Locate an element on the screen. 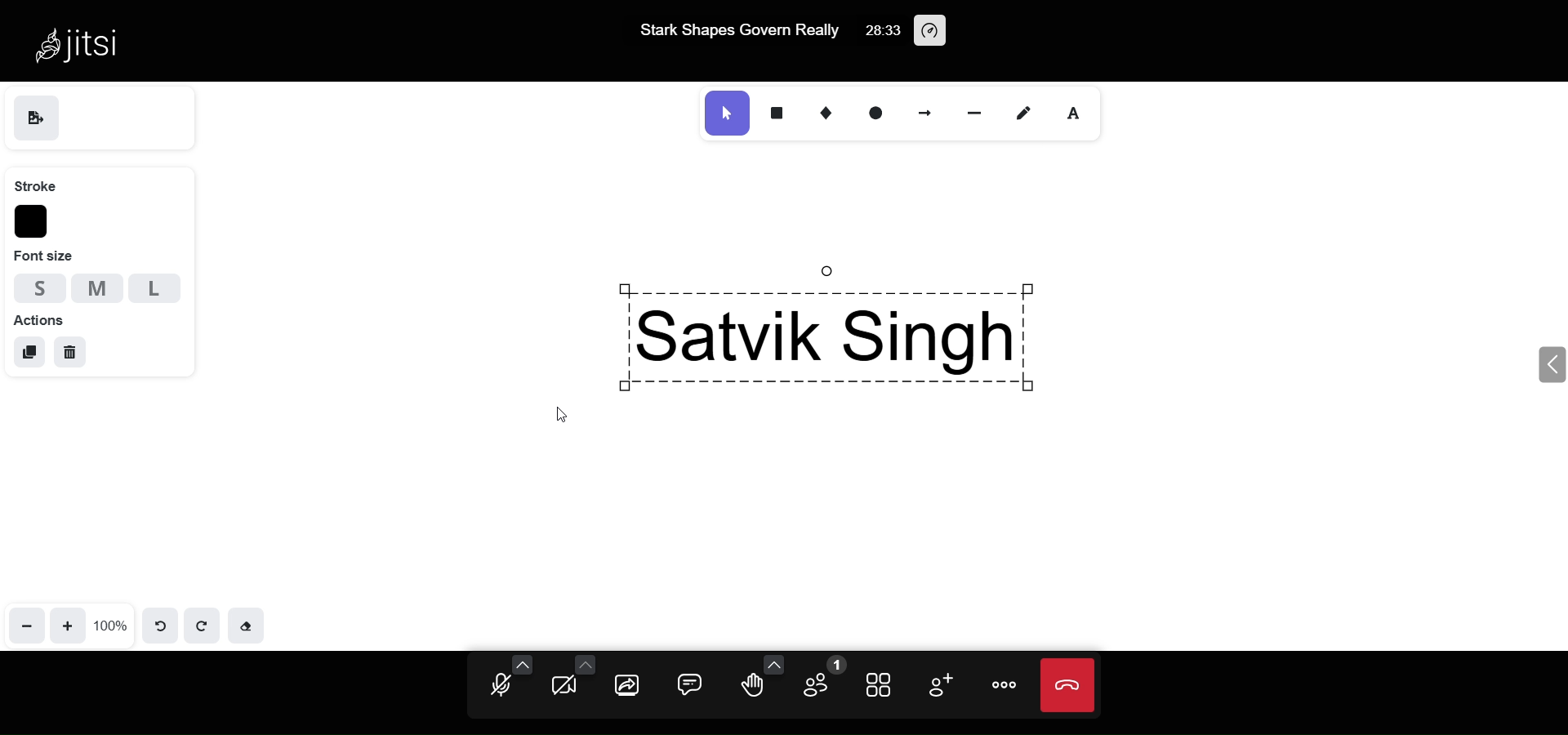 This screenshot has height=735, width=1568. tile view is located at coordinates (878, 686).